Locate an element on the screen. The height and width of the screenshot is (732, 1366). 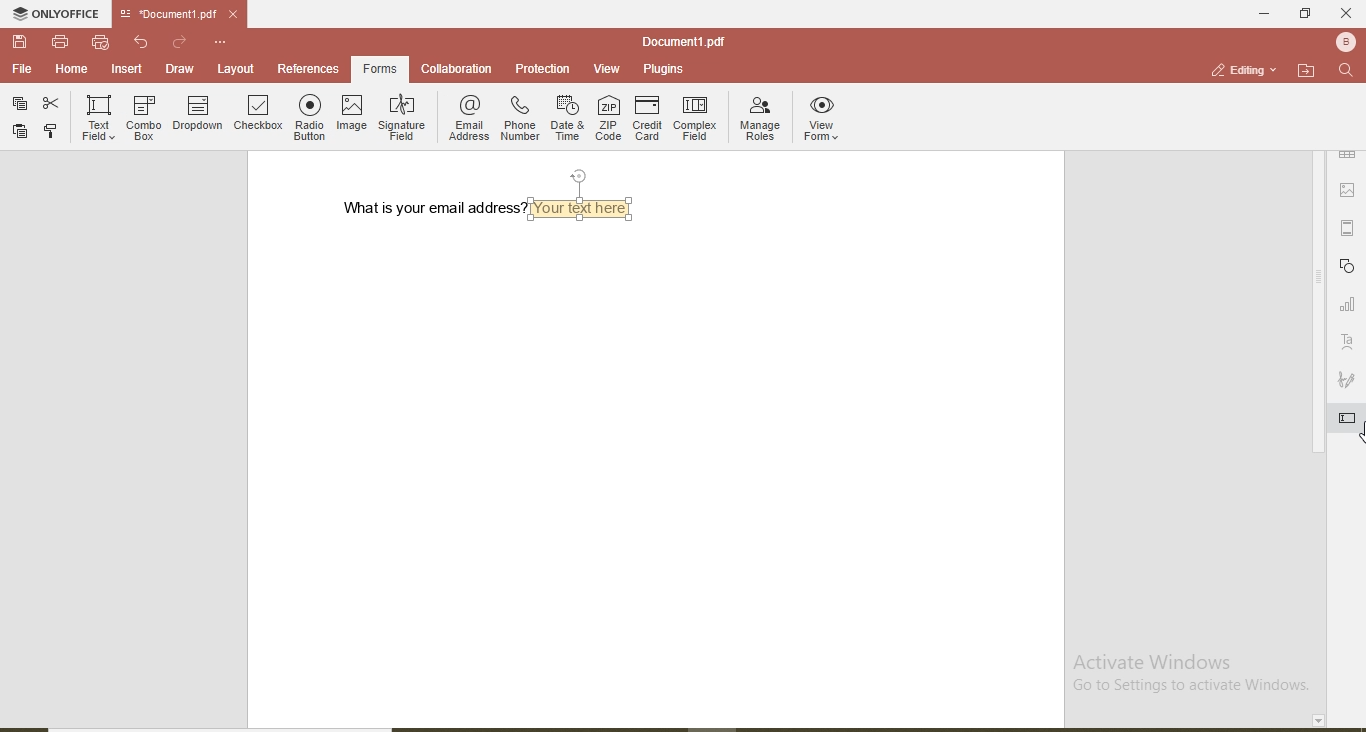
open file location is located at coordinates (1306, 70).